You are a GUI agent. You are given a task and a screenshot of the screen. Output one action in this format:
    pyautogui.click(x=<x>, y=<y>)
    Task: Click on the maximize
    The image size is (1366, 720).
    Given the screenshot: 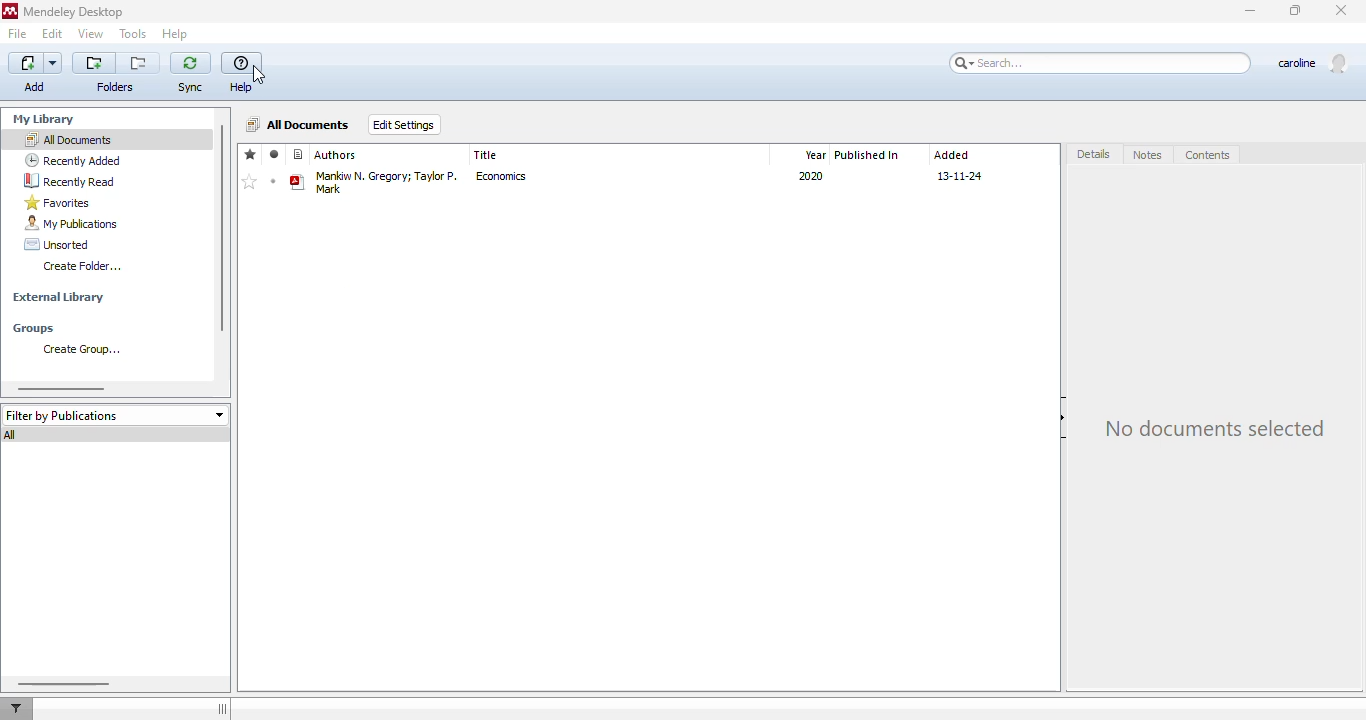 What is the action you would take?
    pyautogui.click(x=1296, y=11)
    